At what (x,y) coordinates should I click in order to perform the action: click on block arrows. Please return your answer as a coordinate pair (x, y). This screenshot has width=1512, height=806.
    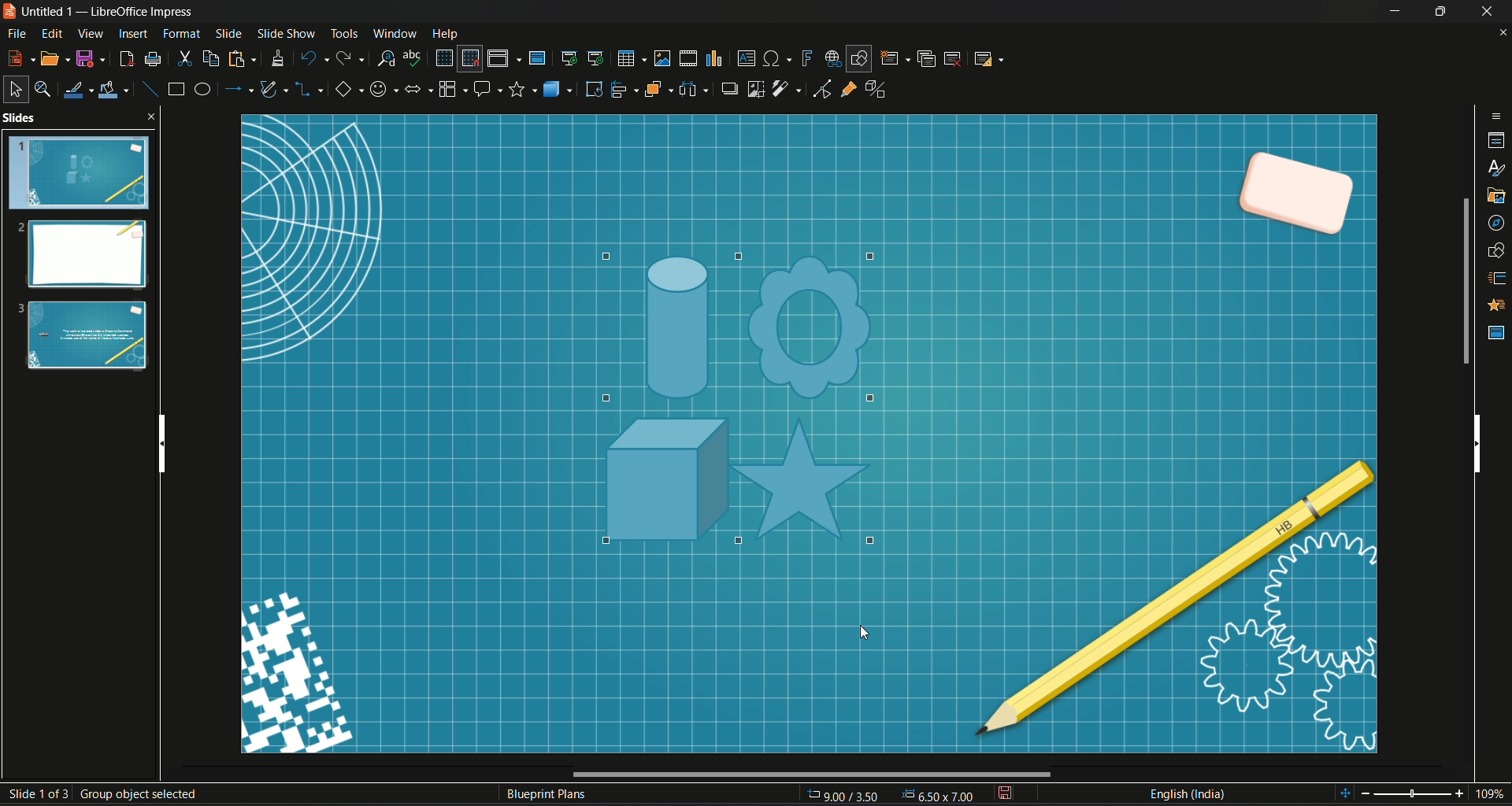
    Looking at the image, I should click on (417, 91).